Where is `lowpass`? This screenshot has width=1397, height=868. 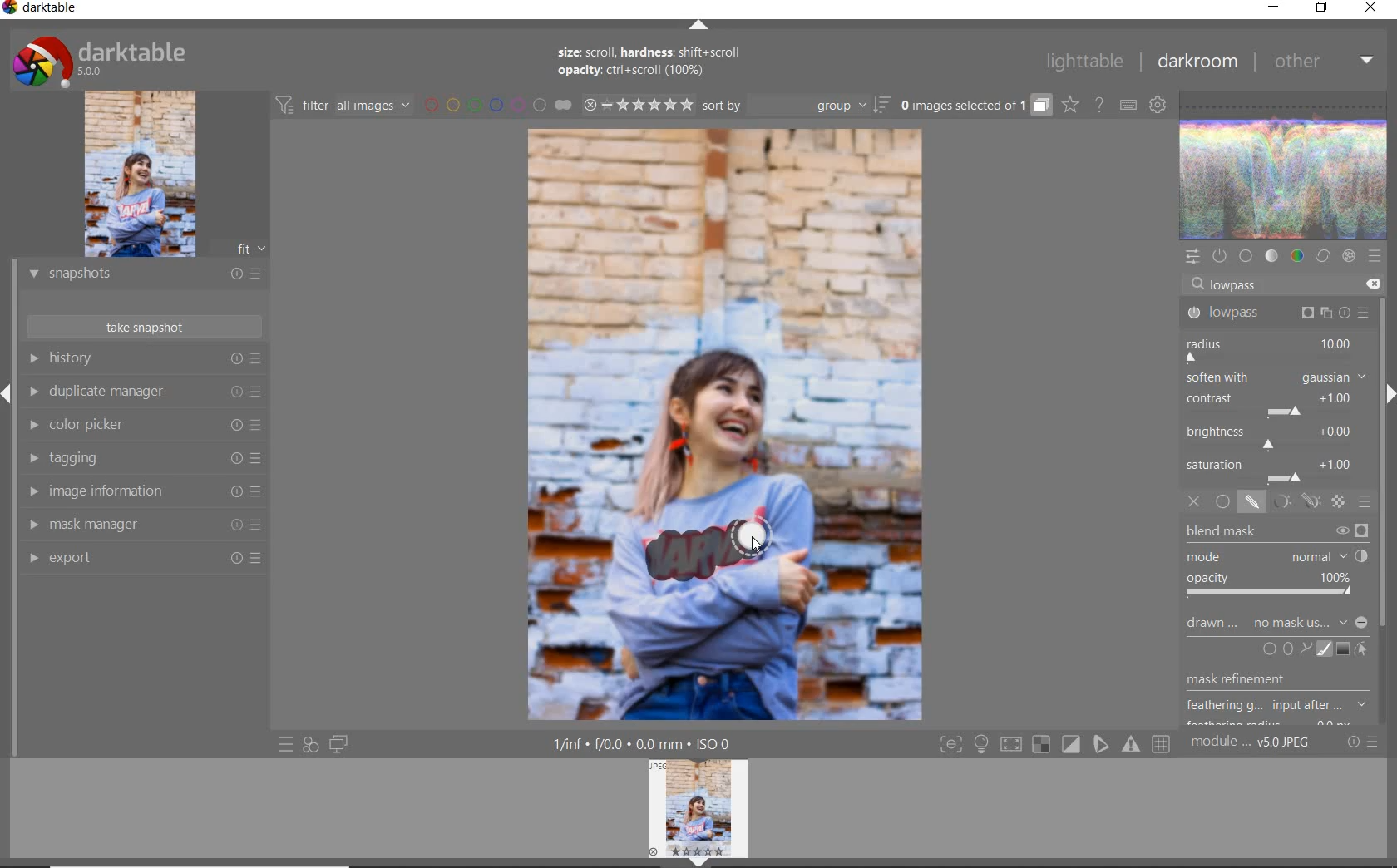
lowpass is located at coordinates (1276, 313).